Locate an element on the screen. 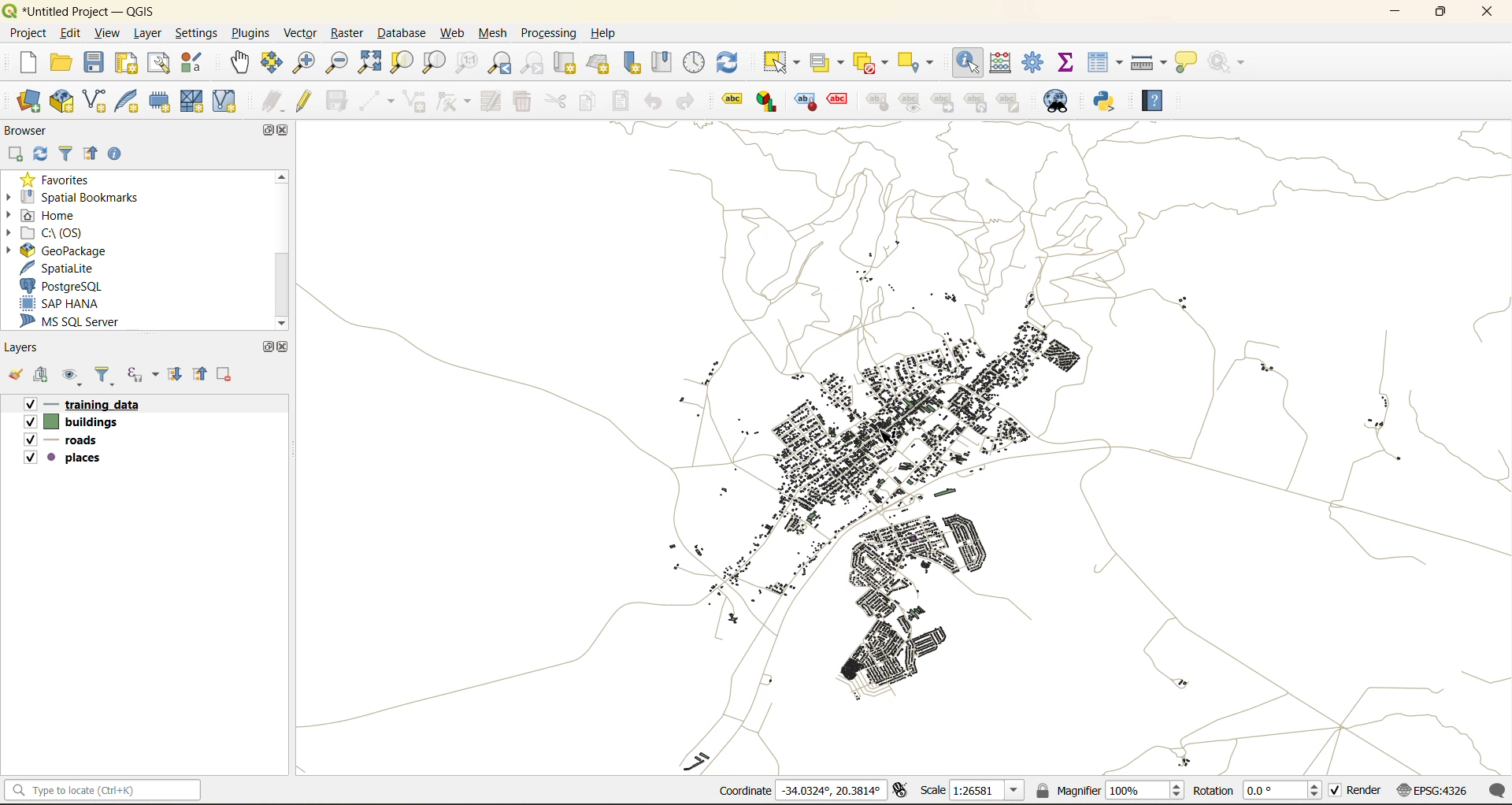 The height and width of the screenshot is (805, 1512). minimize is located at coordinates (1390, 14).